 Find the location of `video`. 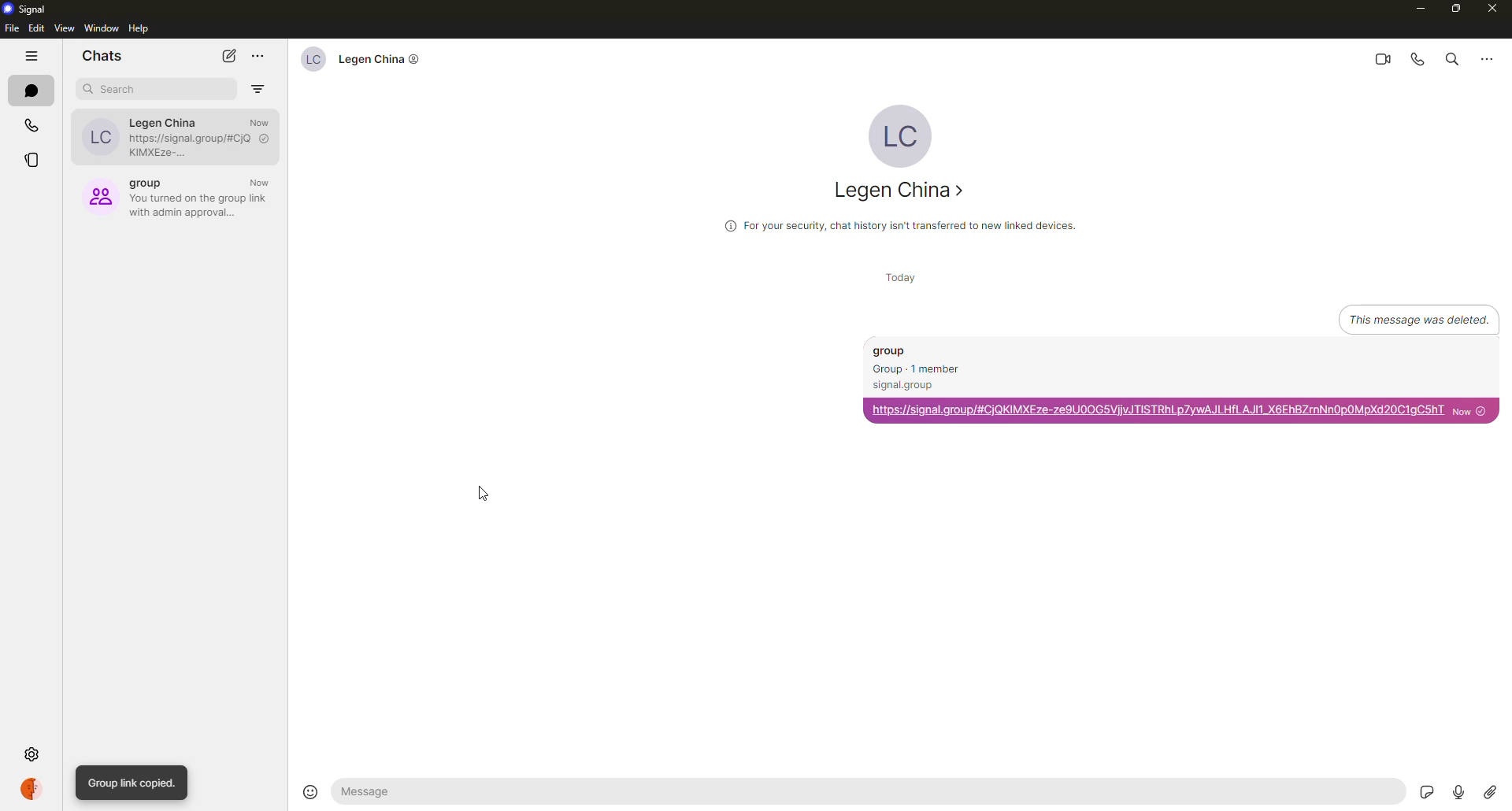

video is located at coordinates (1378, 58).